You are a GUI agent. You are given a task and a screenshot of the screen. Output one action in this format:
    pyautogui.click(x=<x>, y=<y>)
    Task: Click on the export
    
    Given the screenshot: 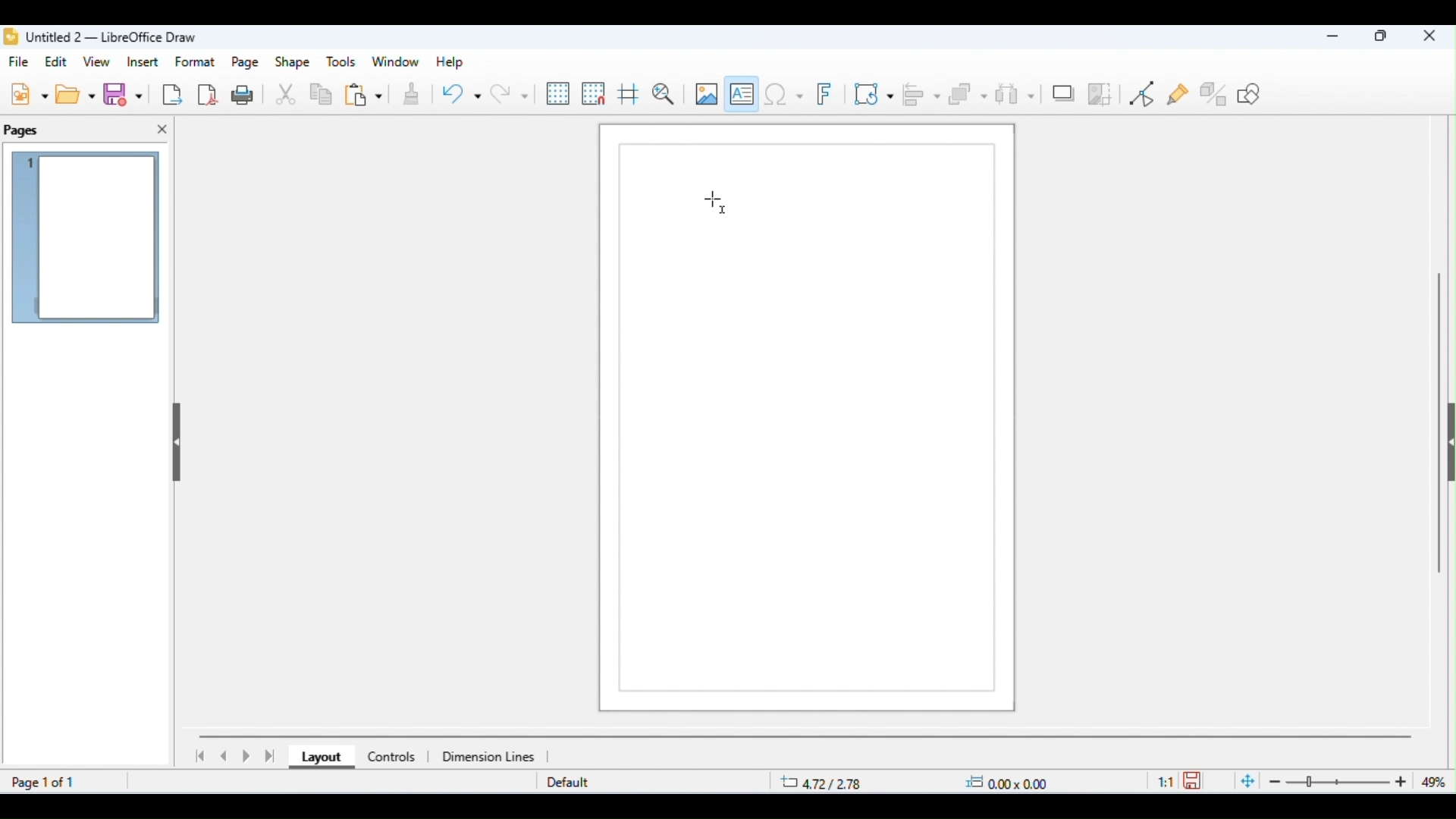 What is the action you would take?
    pyautogui.click(x=171, y=94)
    